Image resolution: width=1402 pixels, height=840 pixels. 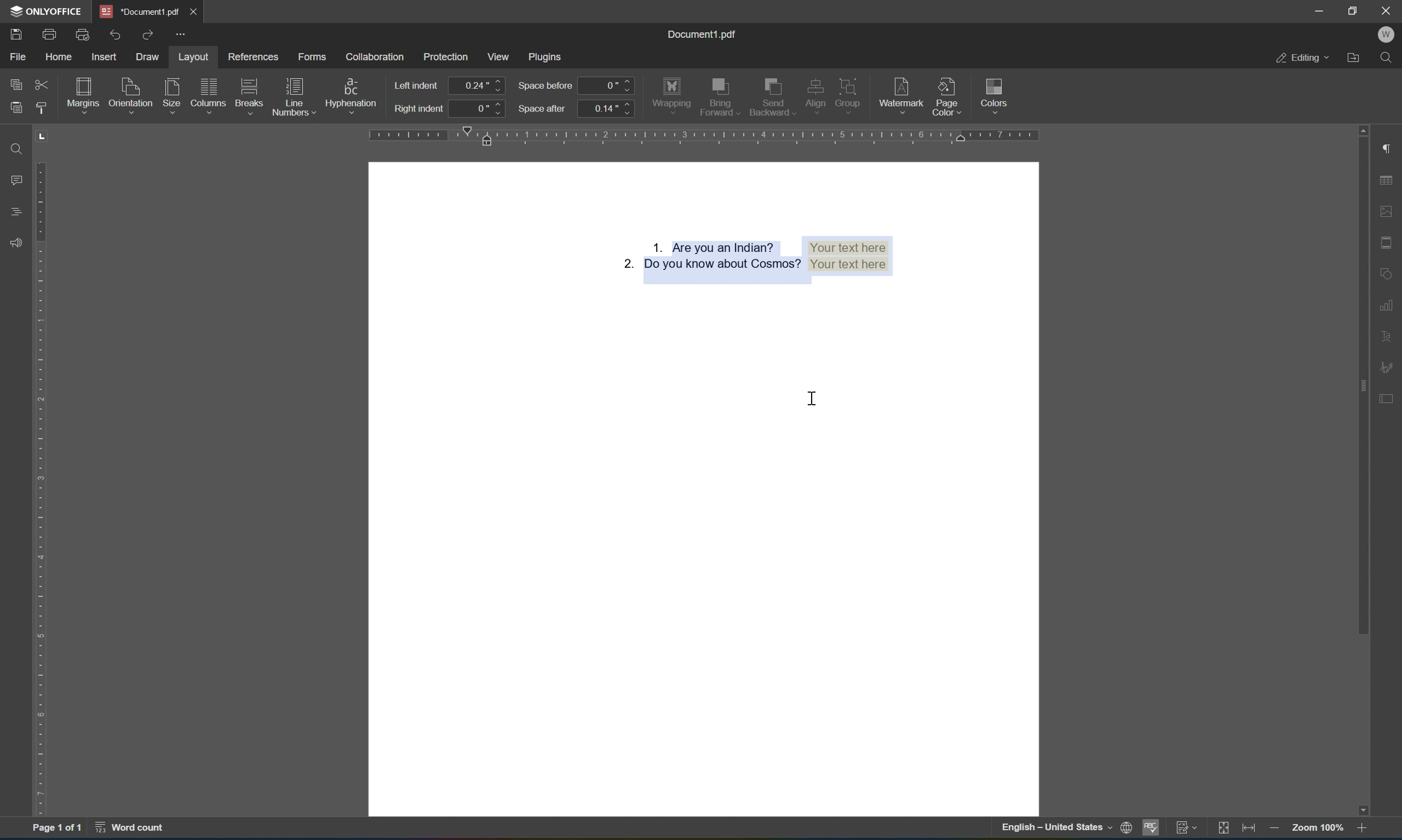 What do you see at coordinates (1272, 830) in the screenshot?
I see `zoom out` at bounding box center [1272, 830].